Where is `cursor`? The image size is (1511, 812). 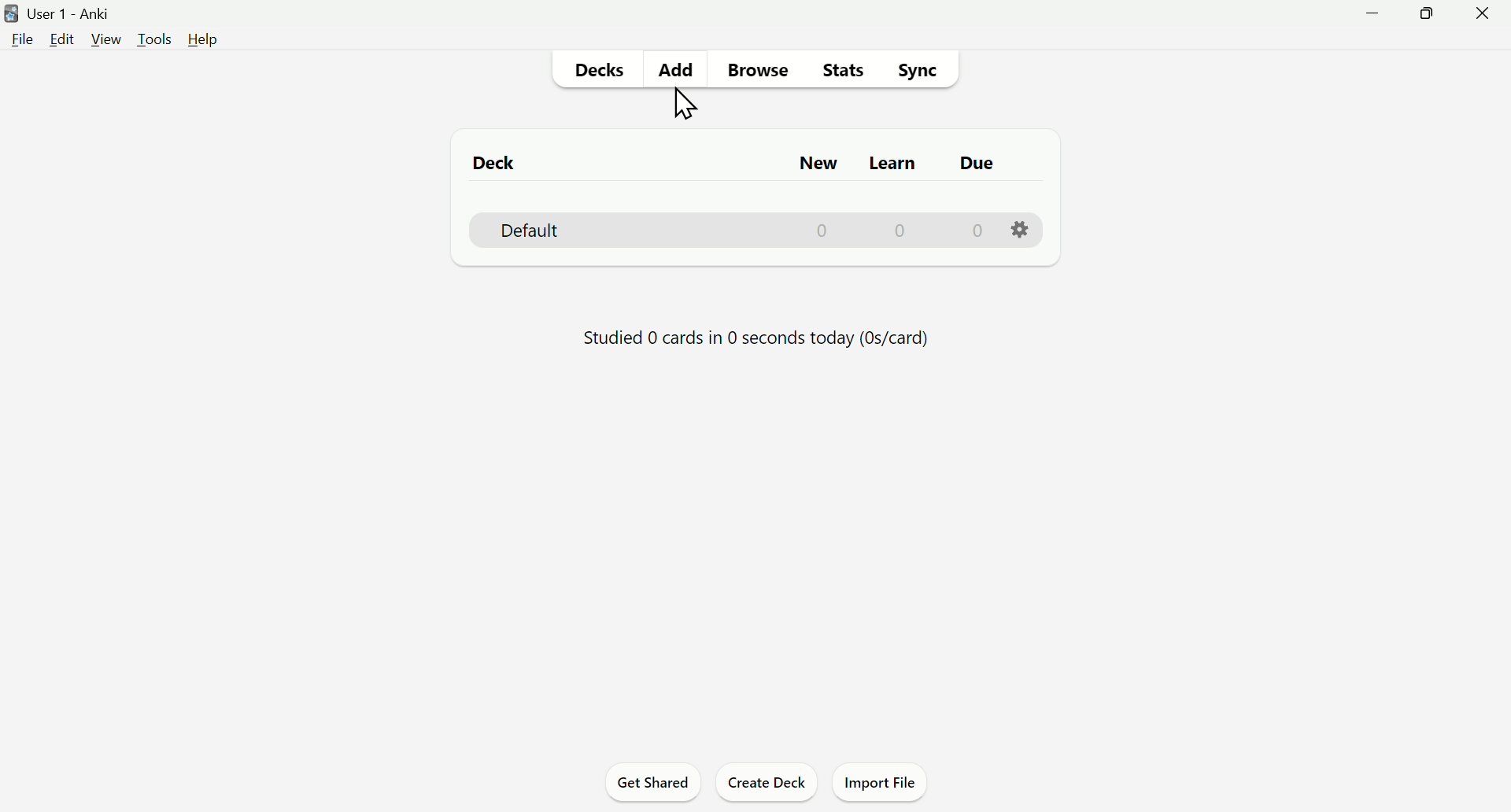 cursor is located at coordinates (683, 105).